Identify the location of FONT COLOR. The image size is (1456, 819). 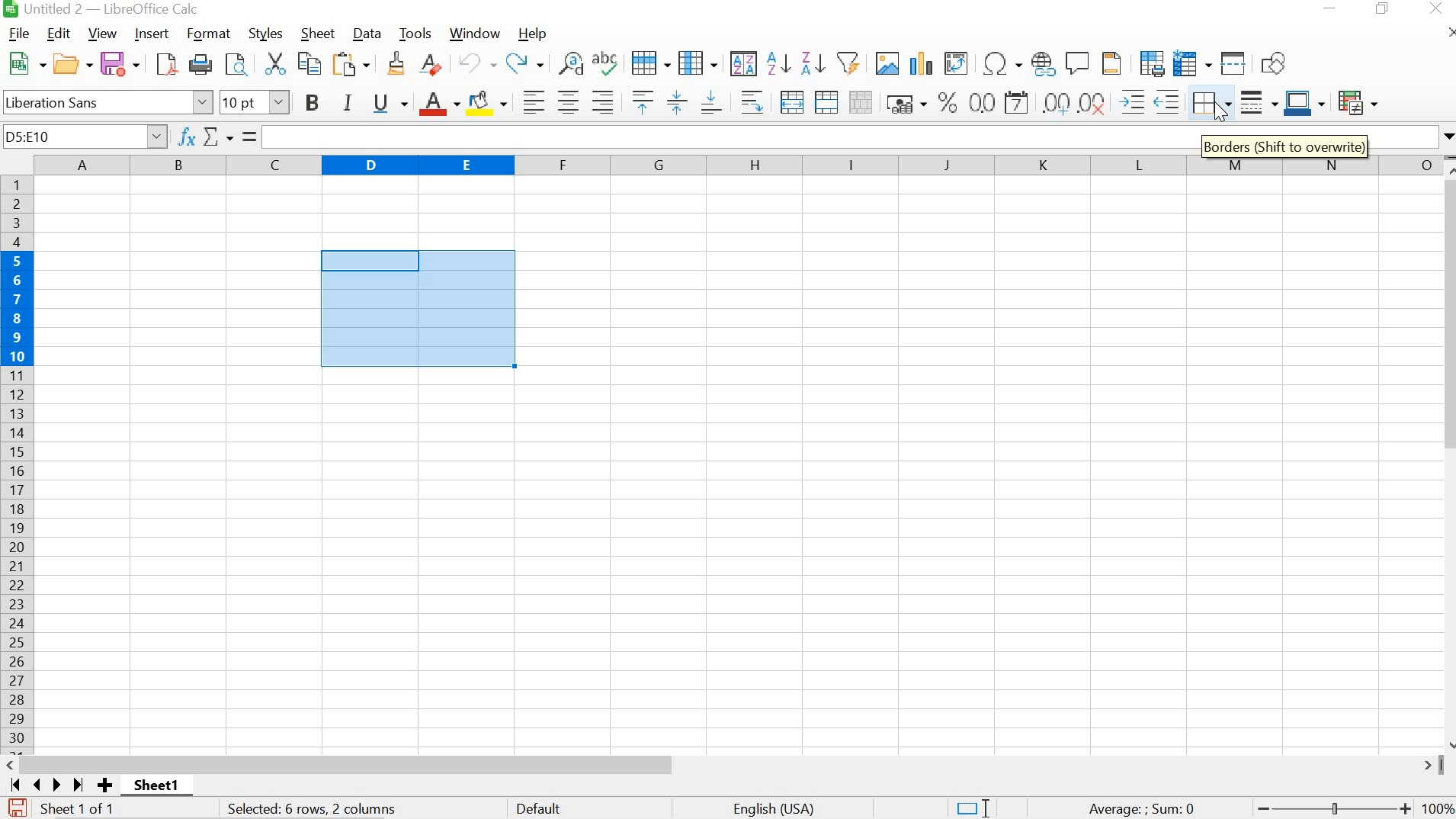
(438, 104).